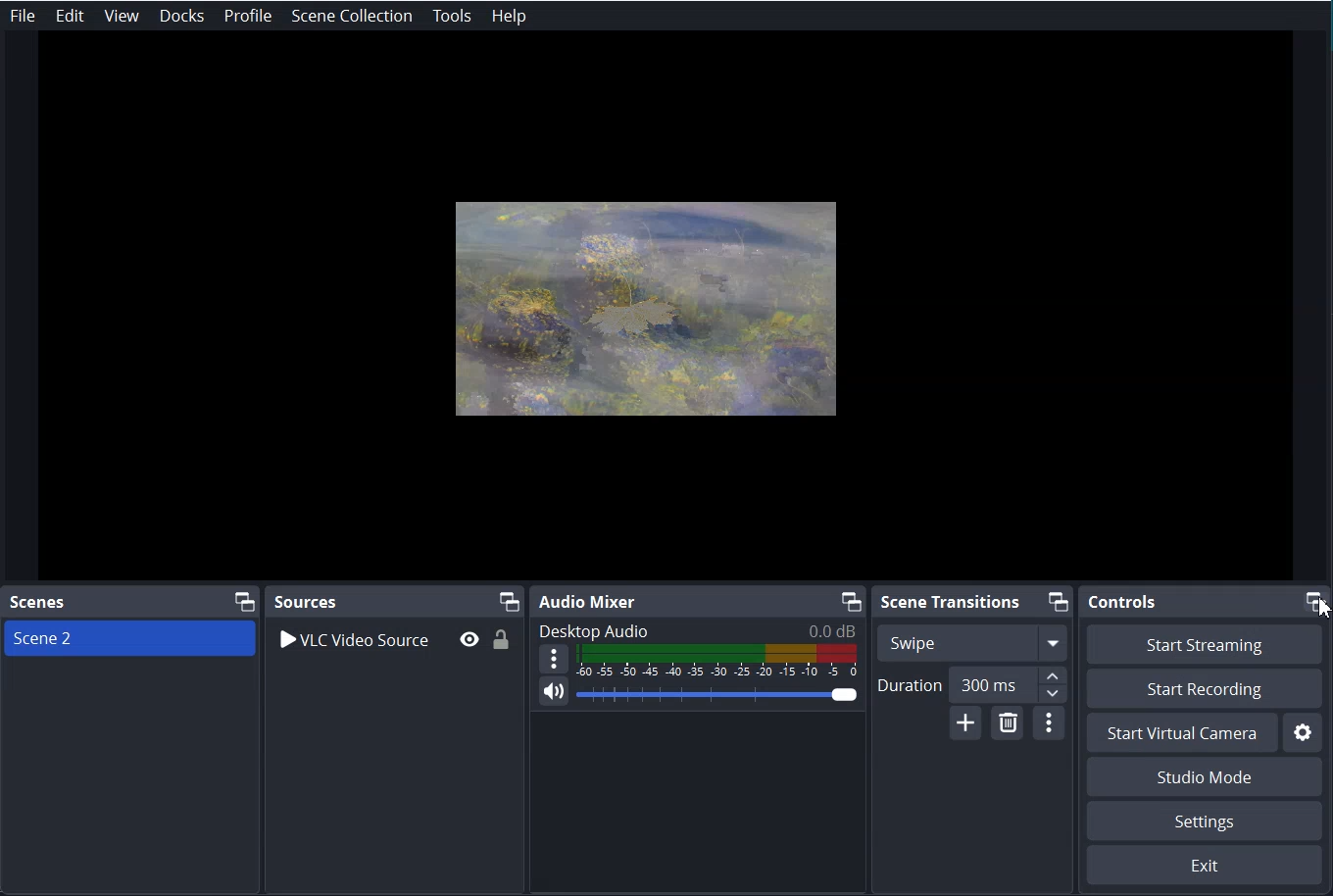 The height and width of the screenshot is (896, 1333). Describe the element at coordinates (1303, 732) in the screenshot. I see `Settings` at that location.